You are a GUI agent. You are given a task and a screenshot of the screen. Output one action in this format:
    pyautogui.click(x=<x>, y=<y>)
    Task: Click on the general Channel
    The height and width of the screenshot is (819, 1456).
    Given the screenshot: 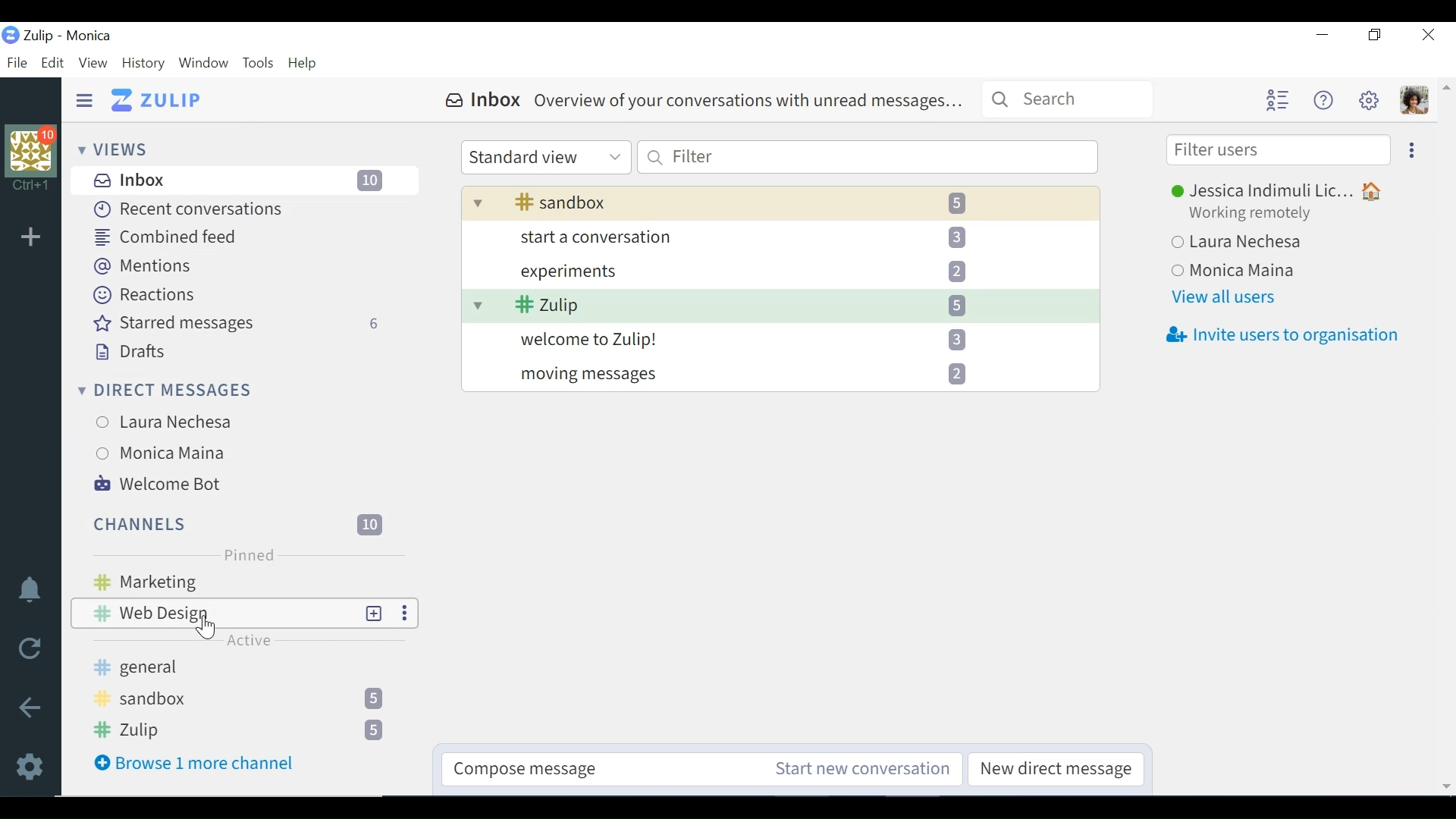 What is the action you would take?
    pyautogui.click(x=242, y=667)
    